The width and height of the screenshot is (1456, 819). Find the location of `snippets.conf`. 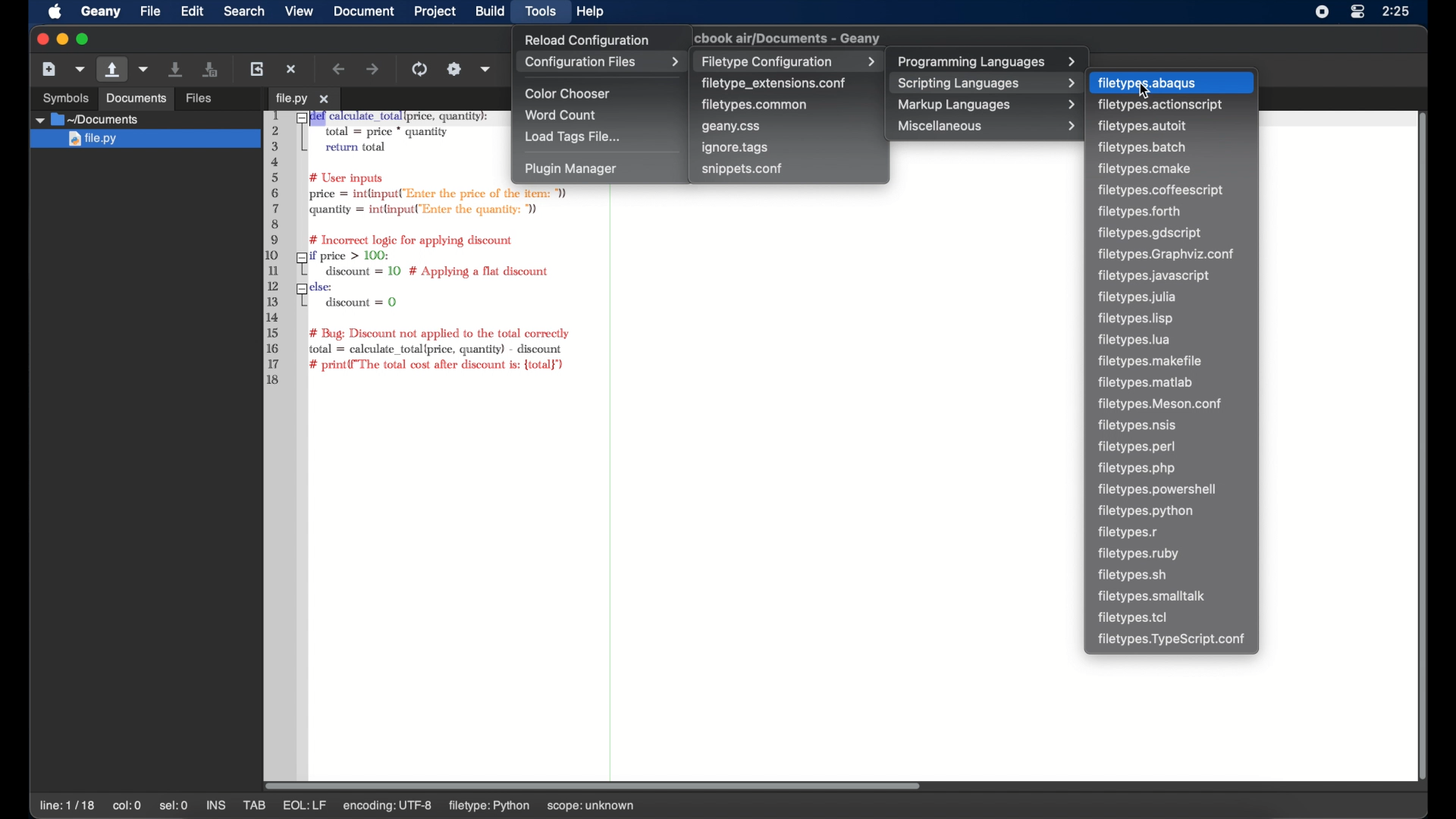

snippets.conf is located at coordinates (742, 168).